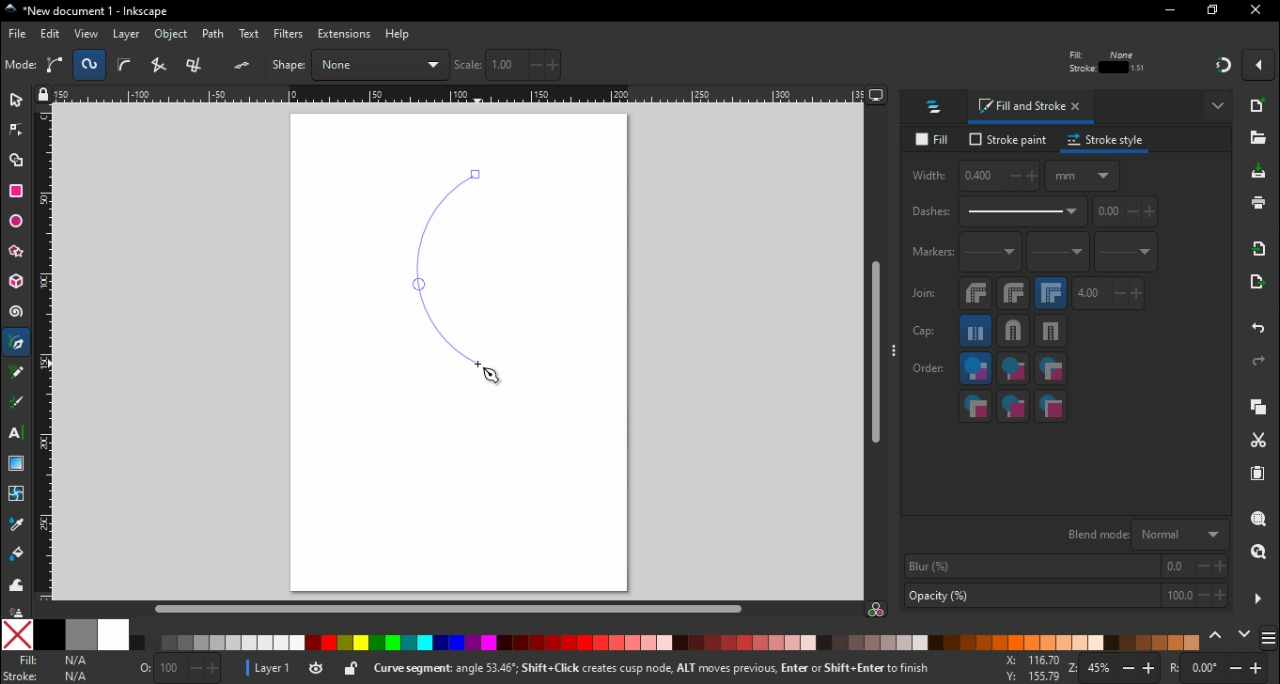  Describe the element at coordinates (895, 354) in the screenshot. I see `more options` at that location.